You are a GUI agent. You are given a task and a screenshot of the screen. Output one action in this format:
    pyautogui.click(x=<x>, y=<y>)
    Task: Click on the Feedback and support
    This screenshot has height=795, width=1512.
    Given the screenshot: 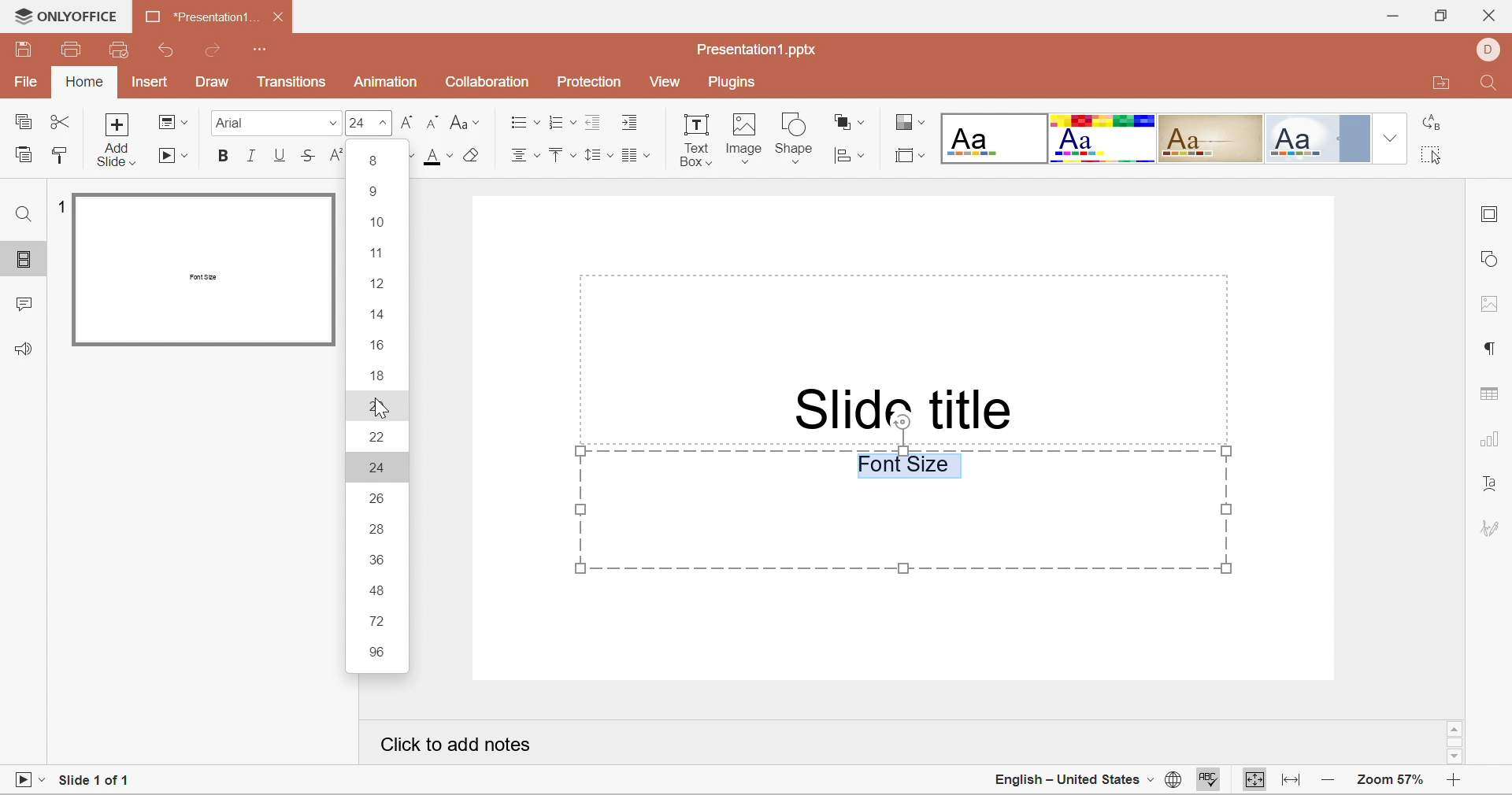 What is the action you would take?
    pyautogui.click(x=27, y=349)
    